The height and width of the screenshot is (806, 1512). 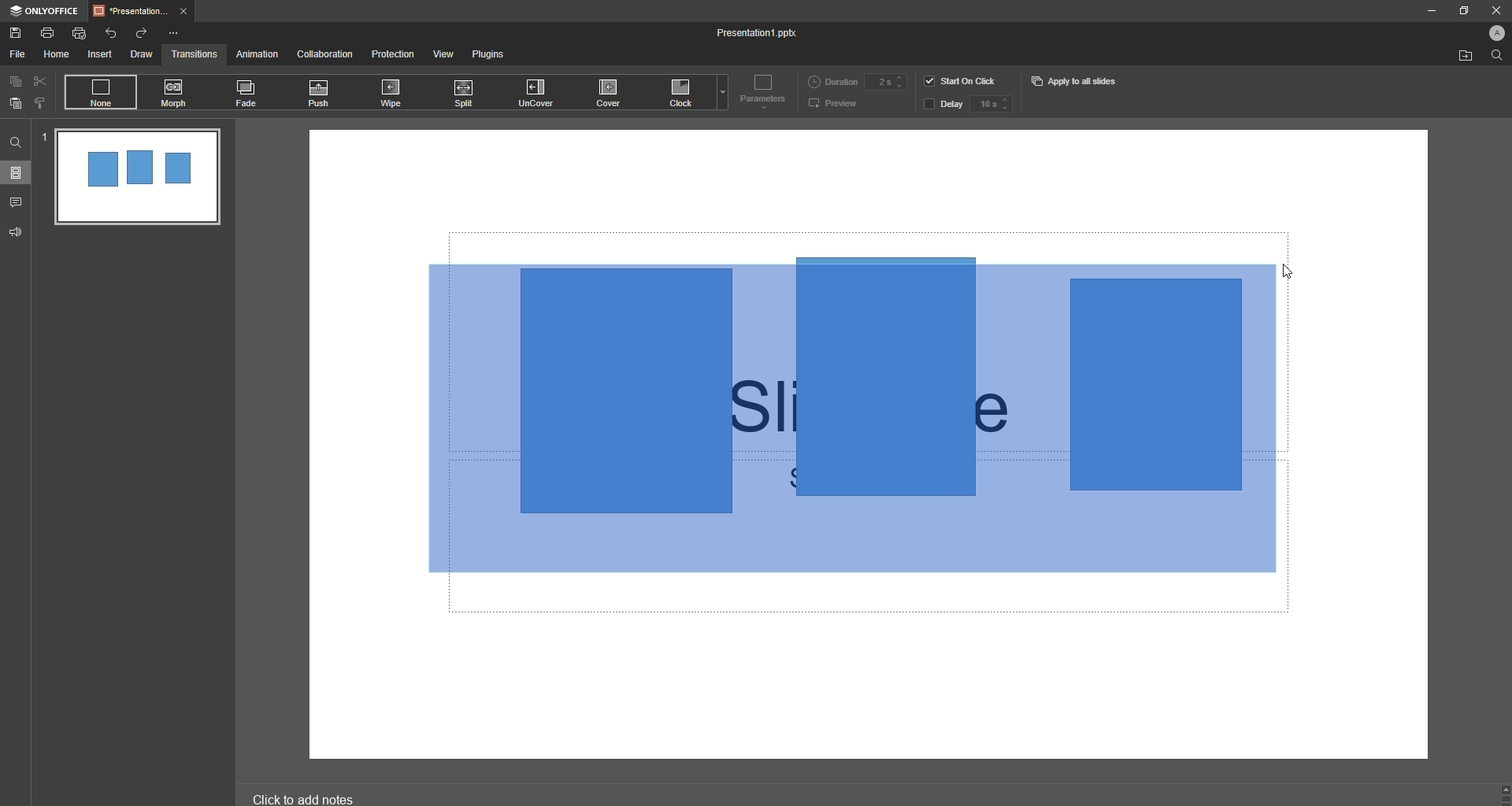 What do you see at coordinates (1489, 9) in the screenshot?
I see `Close` at bounding box center [1489, 9].